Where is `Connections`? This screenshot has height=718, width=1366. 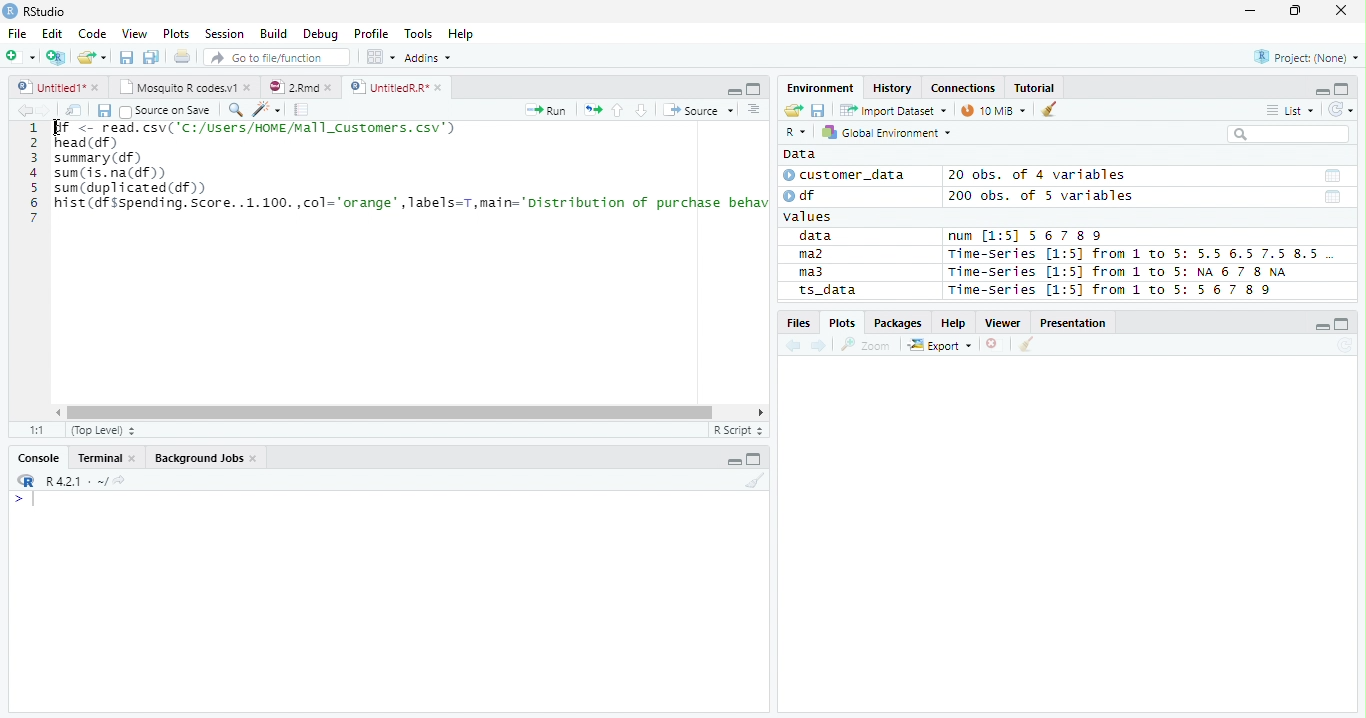 Connections is located at coordinates (963, 88).